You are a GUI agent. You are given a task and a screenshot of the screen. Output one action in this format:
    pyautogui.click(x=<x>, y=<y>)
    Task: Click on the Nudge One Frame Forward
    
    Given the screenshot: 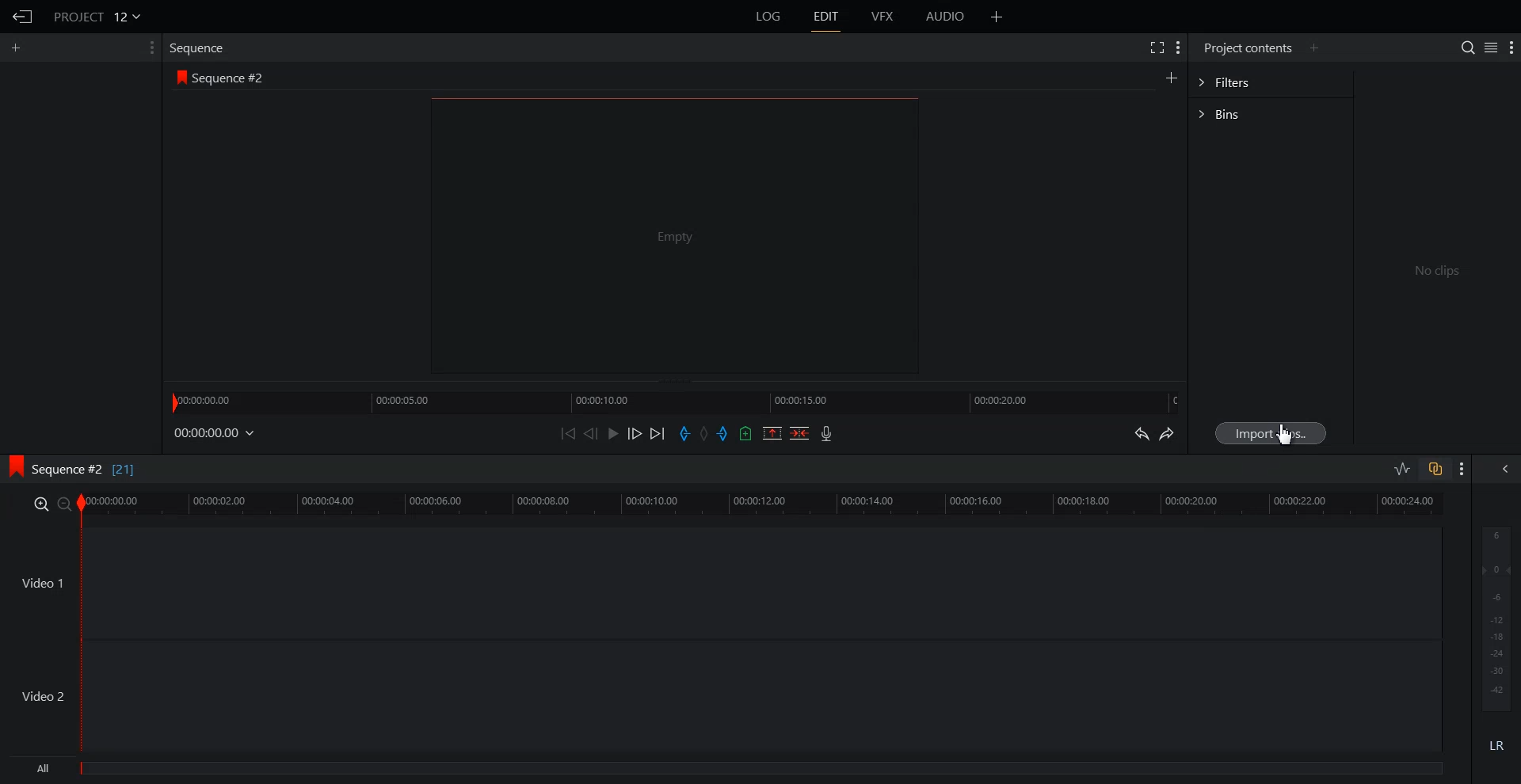 What is the action you would take?
    pyautogui.click(x=635, y=434)
    